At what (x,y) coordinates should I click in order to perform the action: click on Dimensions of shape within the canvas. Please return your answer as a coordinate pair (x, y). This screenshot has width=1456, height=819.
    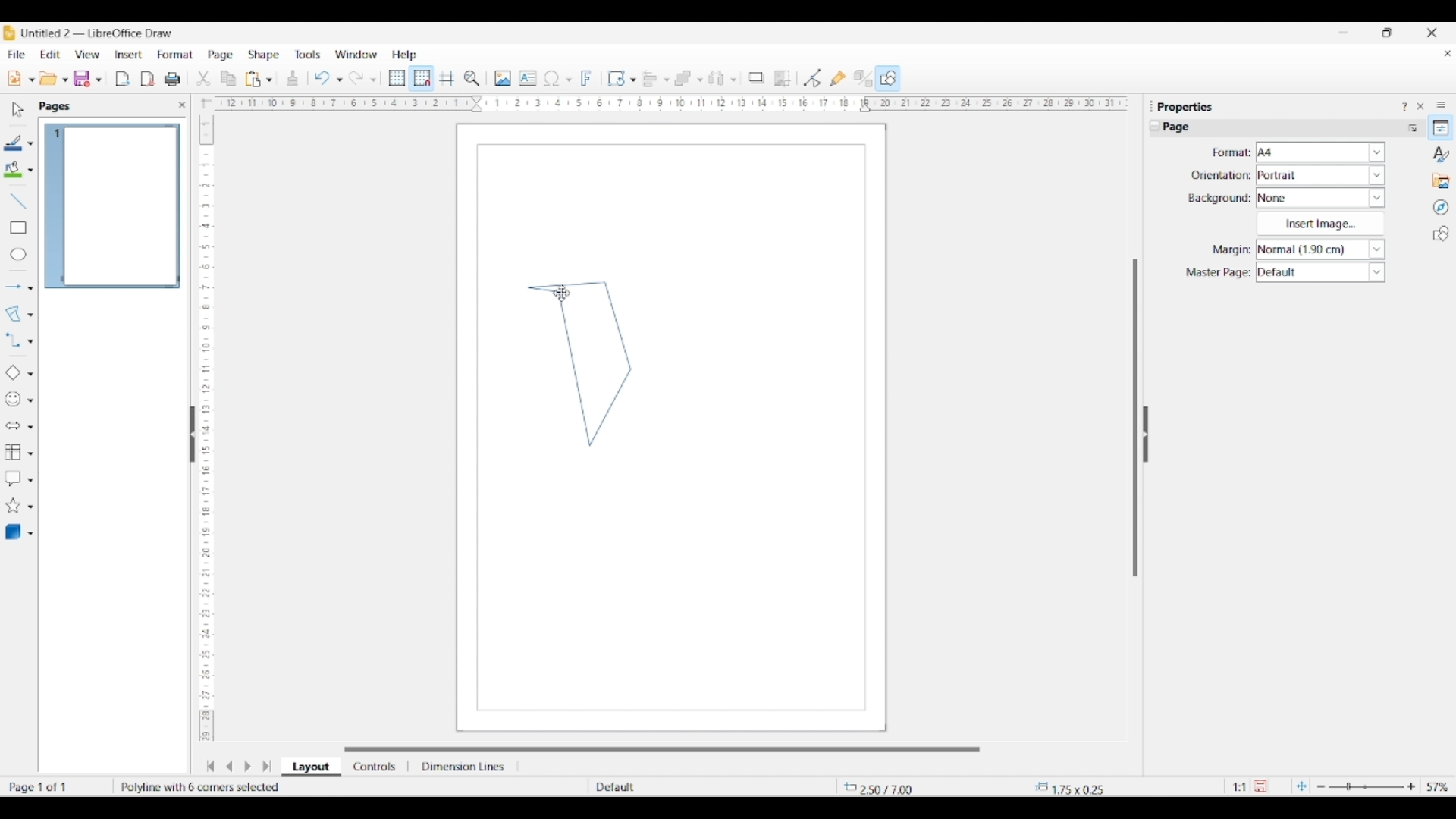
    Looking at the image, I should click on (1084, 787).